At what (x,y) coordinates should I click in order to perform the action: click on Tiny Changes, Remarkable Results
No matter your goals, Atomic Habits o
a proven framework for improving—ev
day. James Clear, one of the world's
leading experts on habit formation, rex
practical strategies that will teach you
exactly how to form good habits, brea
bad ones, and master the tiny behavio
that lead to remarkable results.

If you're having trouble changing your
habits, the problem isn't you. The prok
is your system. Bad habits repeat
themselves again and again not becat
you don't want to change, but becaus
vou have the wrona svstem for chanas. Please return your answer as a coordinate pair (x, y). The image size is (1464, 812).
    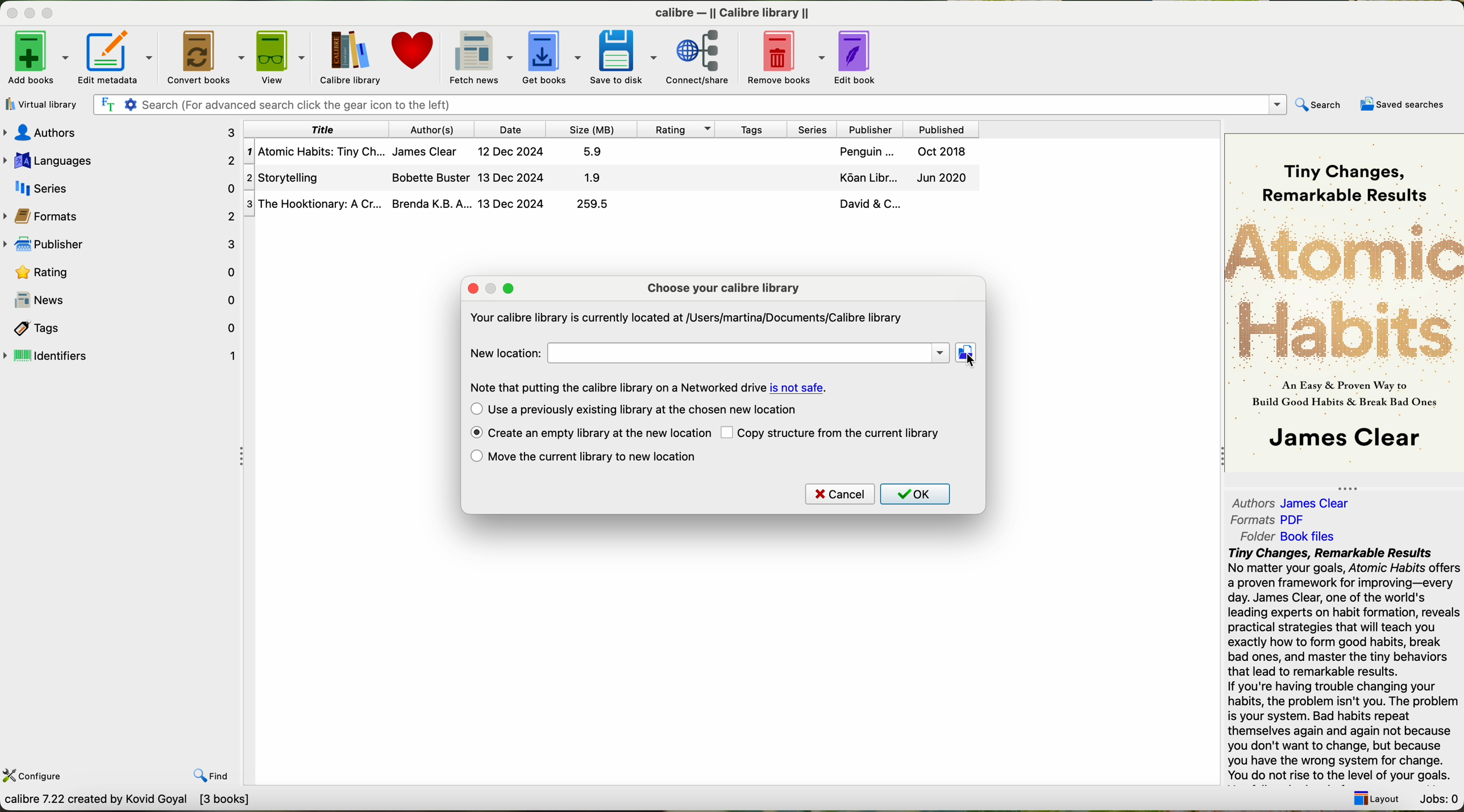
    Looking at the image, I should click on (1342, 663).